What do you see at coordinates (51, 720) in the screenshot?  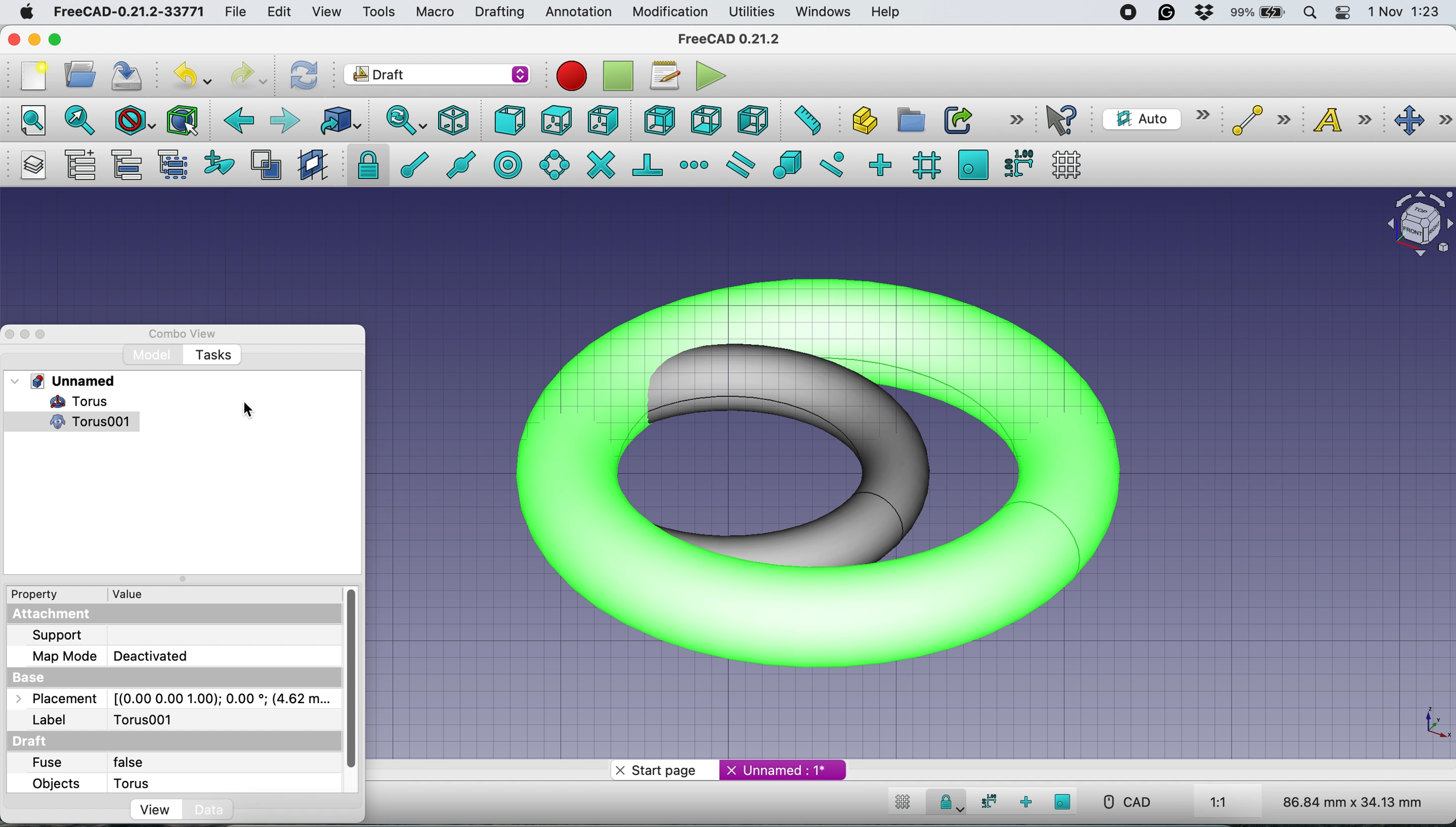 I see `Label` at bounding box center [51, 720].